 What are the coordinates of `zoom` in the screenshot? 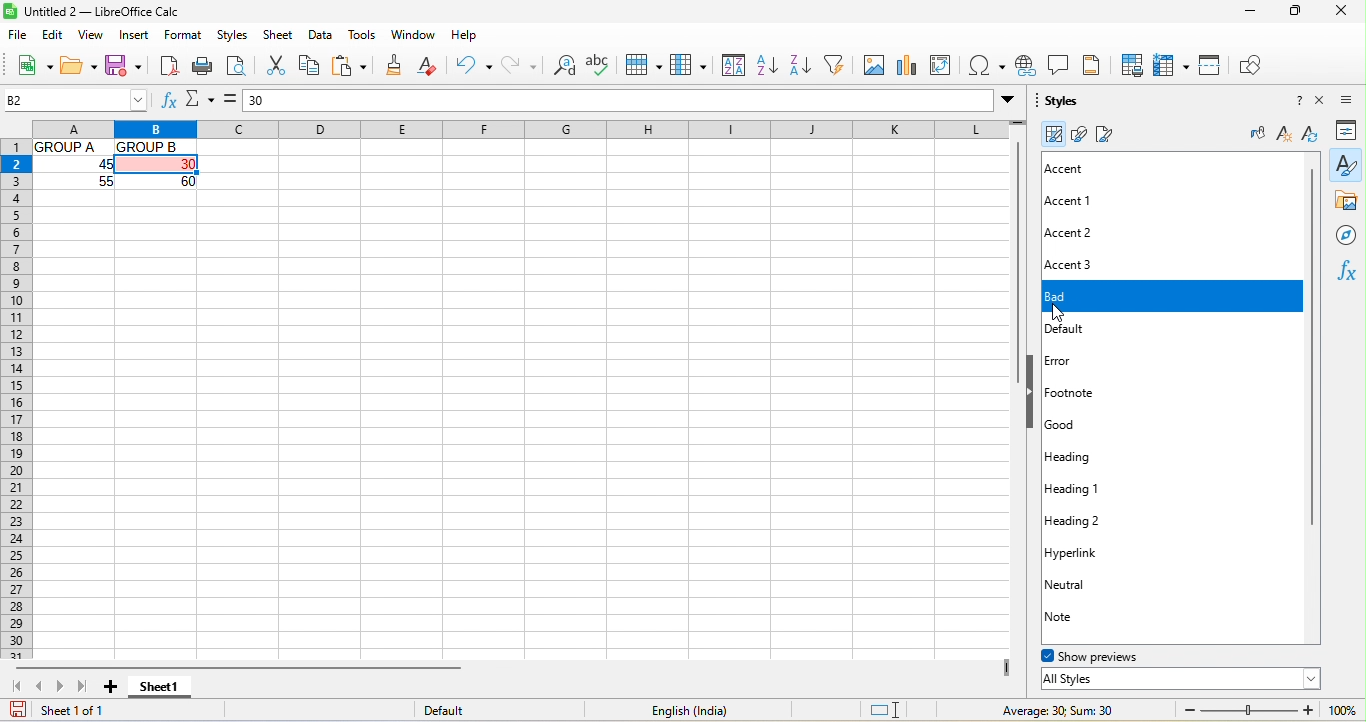 It's located at (1245, 708).